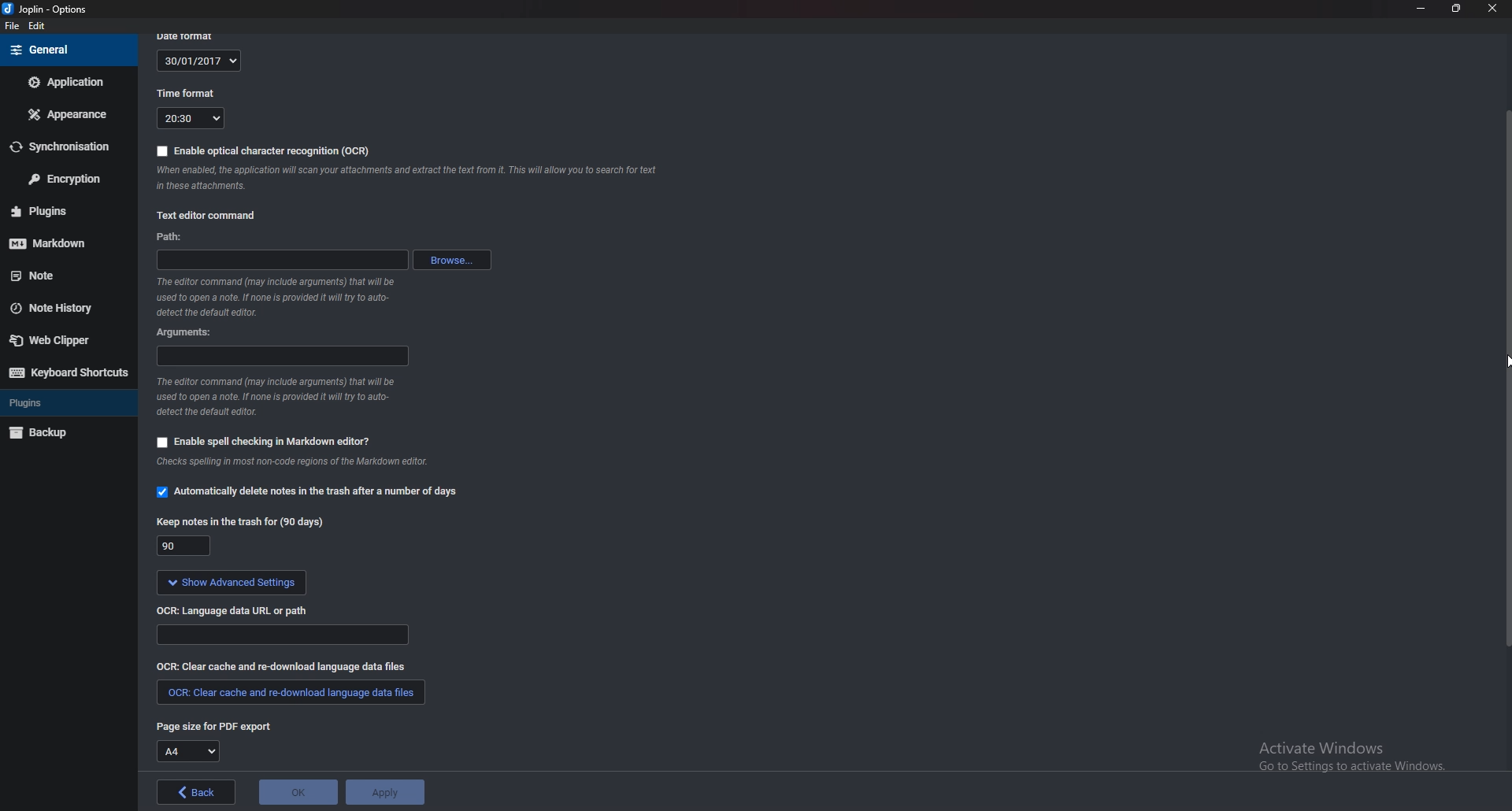 The height and width of the screenshot is (811, 1512). I want to click on Mark down, so click(59, 243).